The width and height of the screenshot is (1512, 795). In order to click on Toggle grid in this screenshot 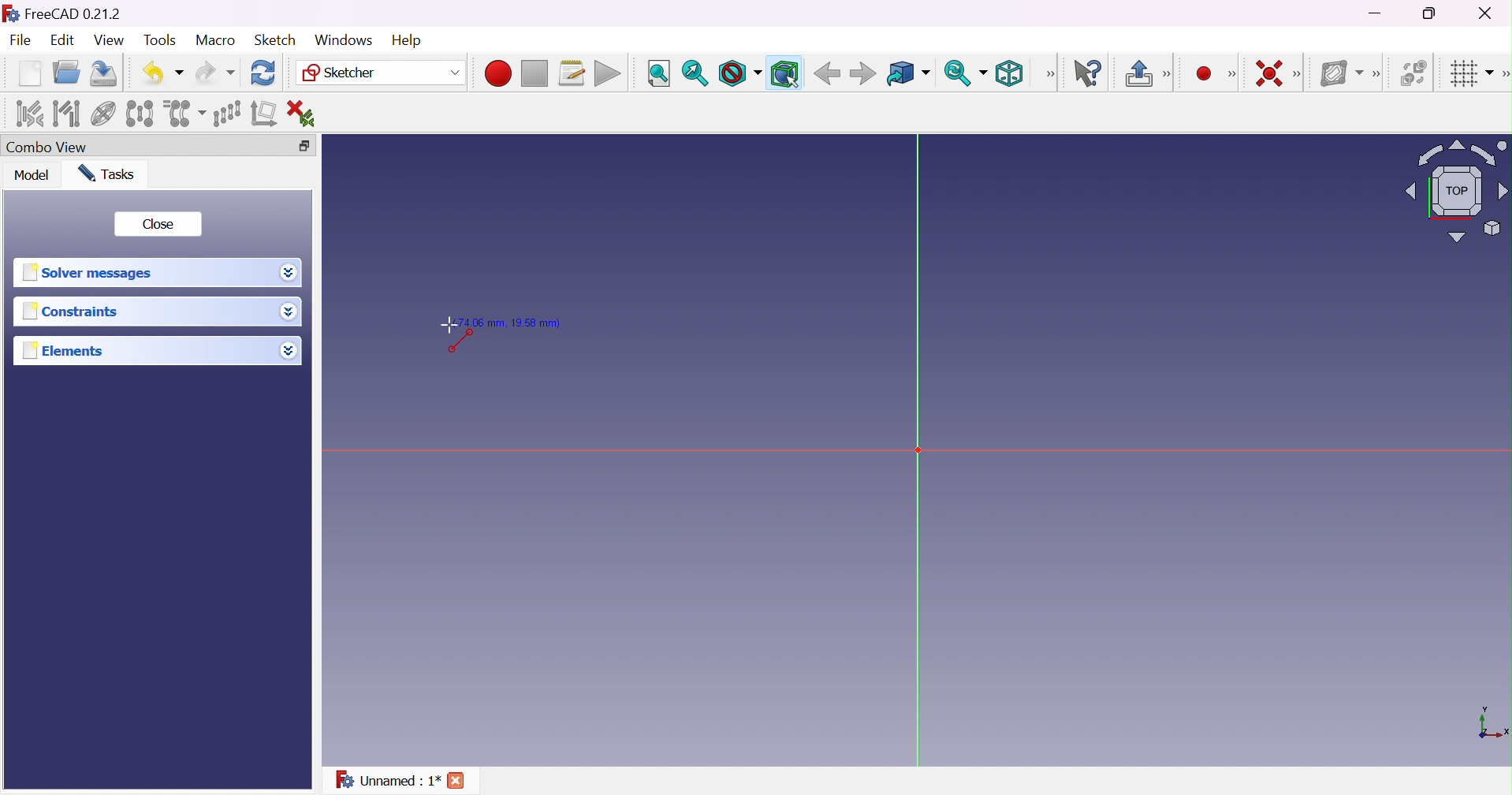, I will do `click(1470, 75)`.